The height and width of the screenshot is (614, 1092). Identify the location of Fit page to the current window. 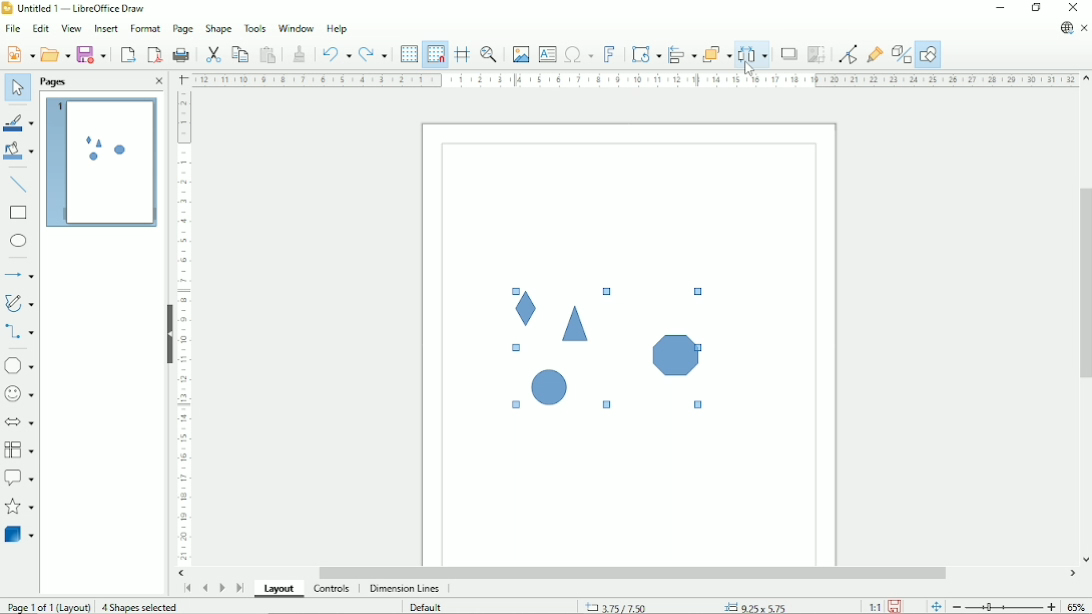
(934, 605).